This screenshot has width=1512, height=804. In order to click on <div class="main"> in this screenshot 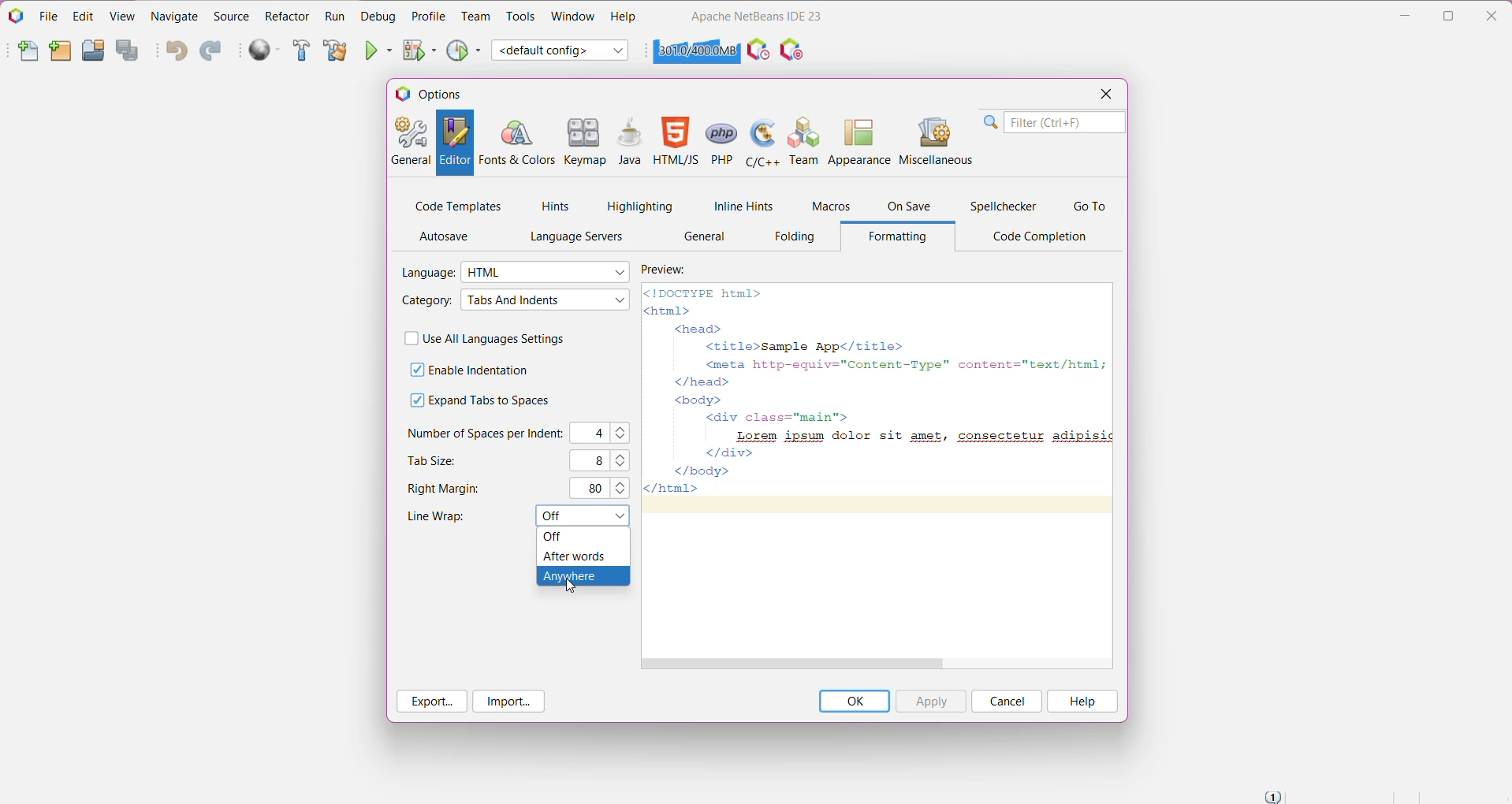, I will do `click(777, 418)`.